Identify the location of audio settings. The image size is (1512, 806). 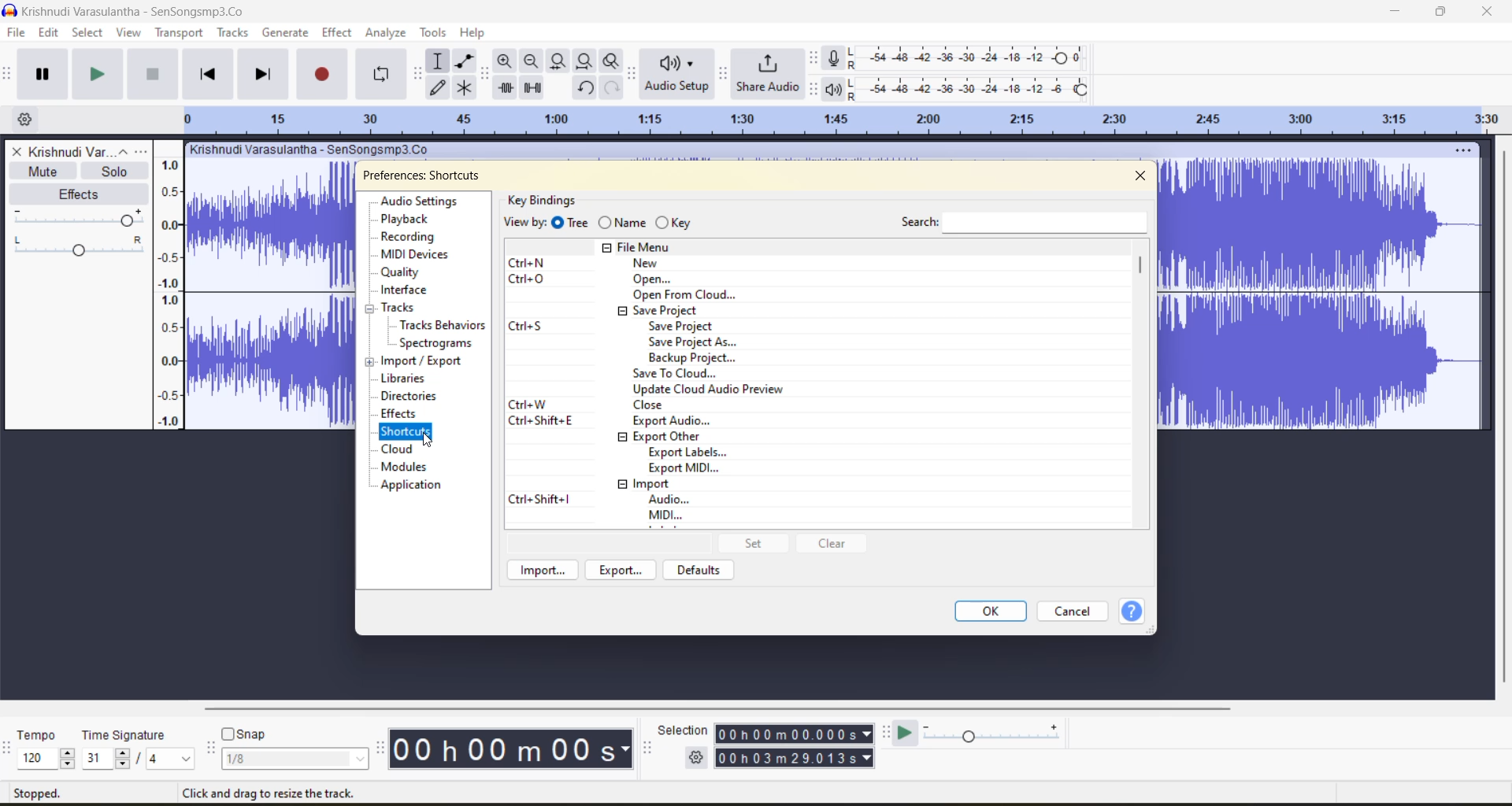
(424, 202).